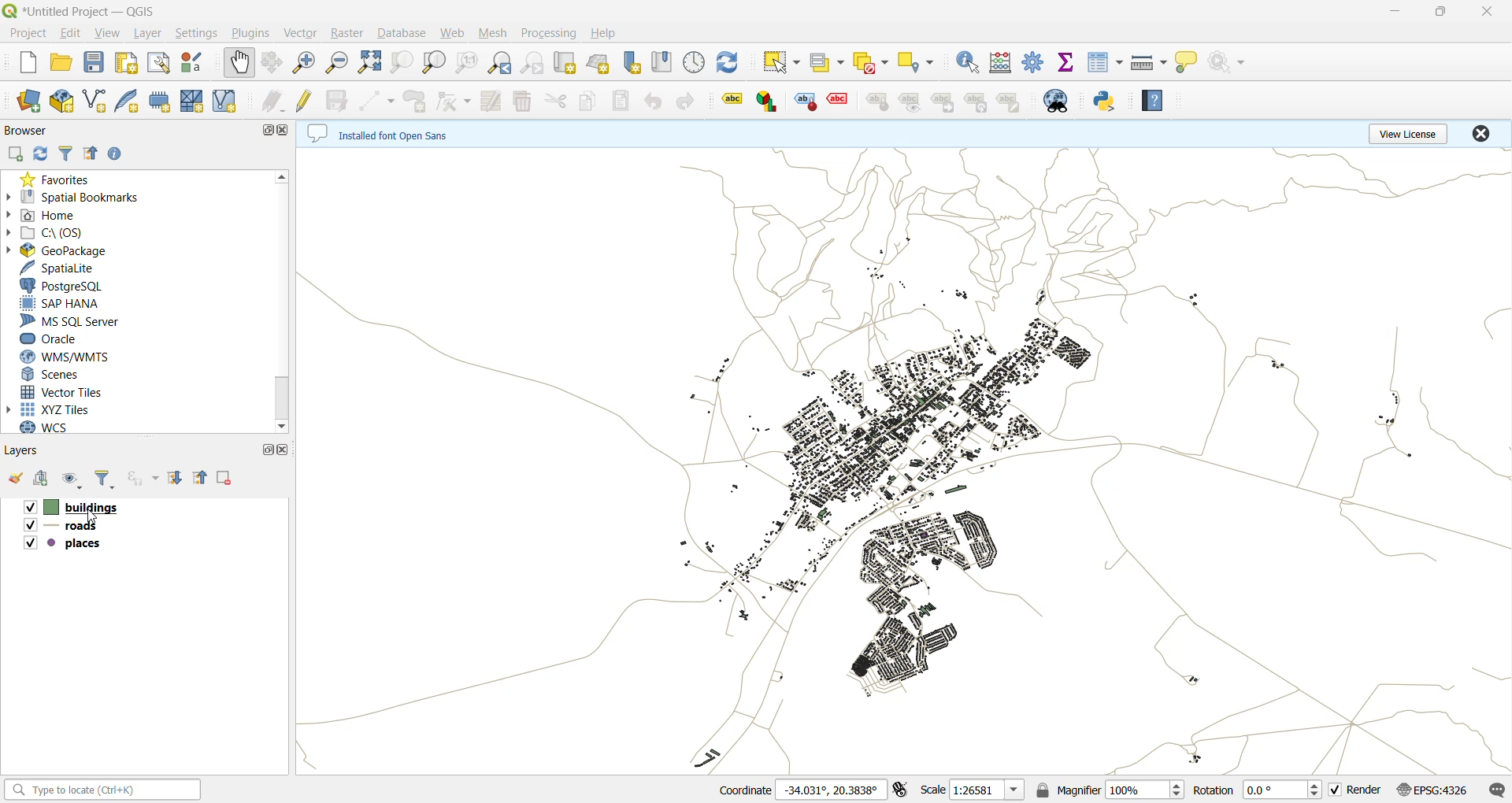  Describe the element at coordinates (116, 154) in the screenshot. I see `enable properties` at that location.